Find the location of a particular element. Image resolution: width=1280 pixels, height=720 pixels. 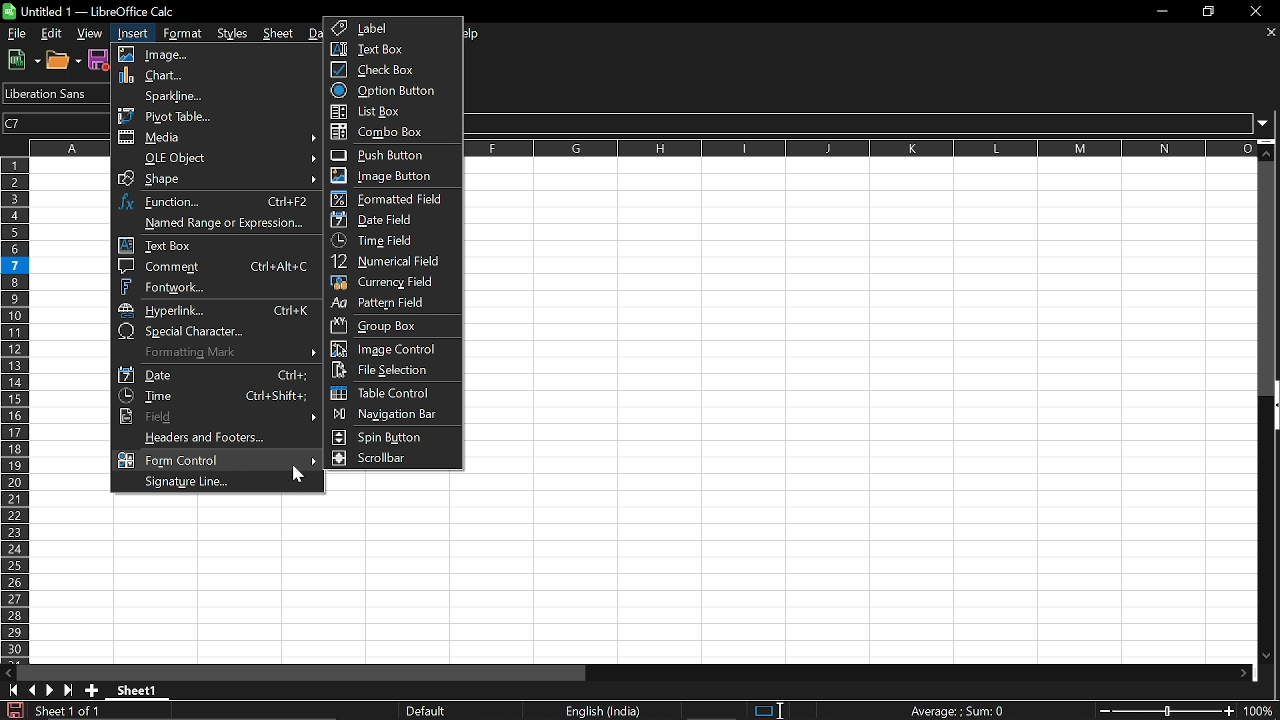

Fontwork is located at coordinates (216, 287).